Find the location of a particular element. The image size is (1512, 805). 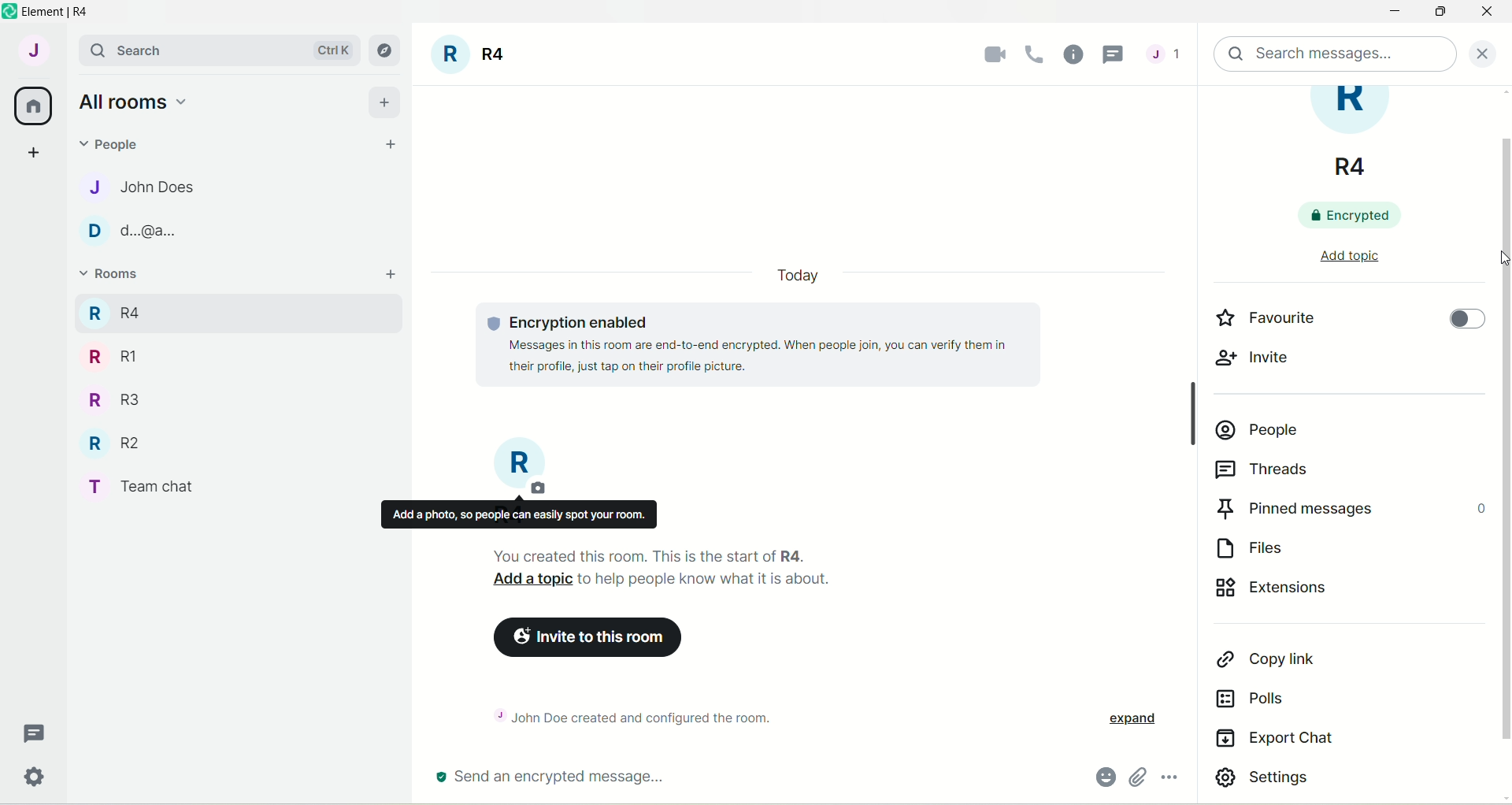

close is located at coordinates (1488, 52).